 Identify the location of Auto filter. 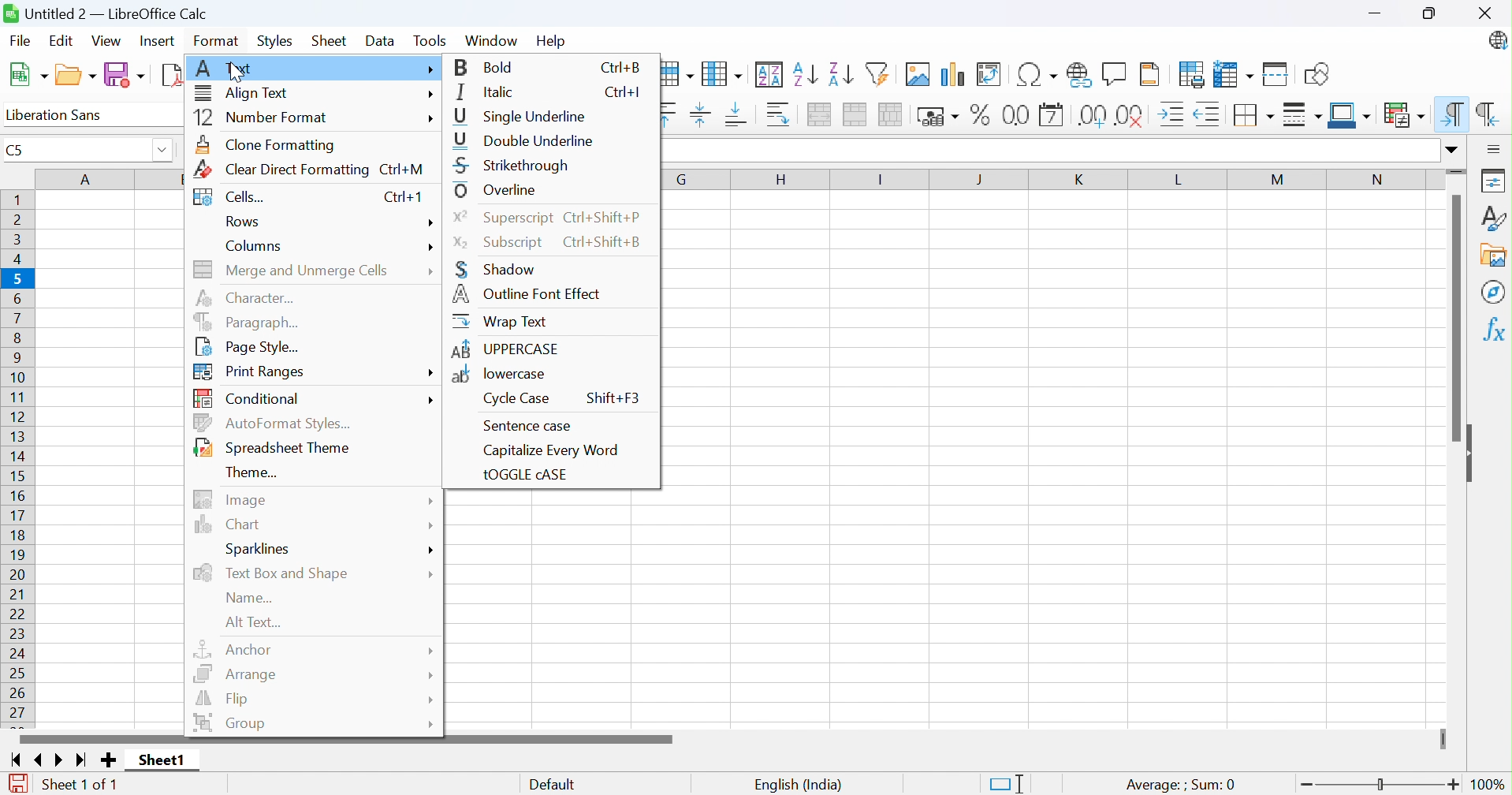
(880, 73).